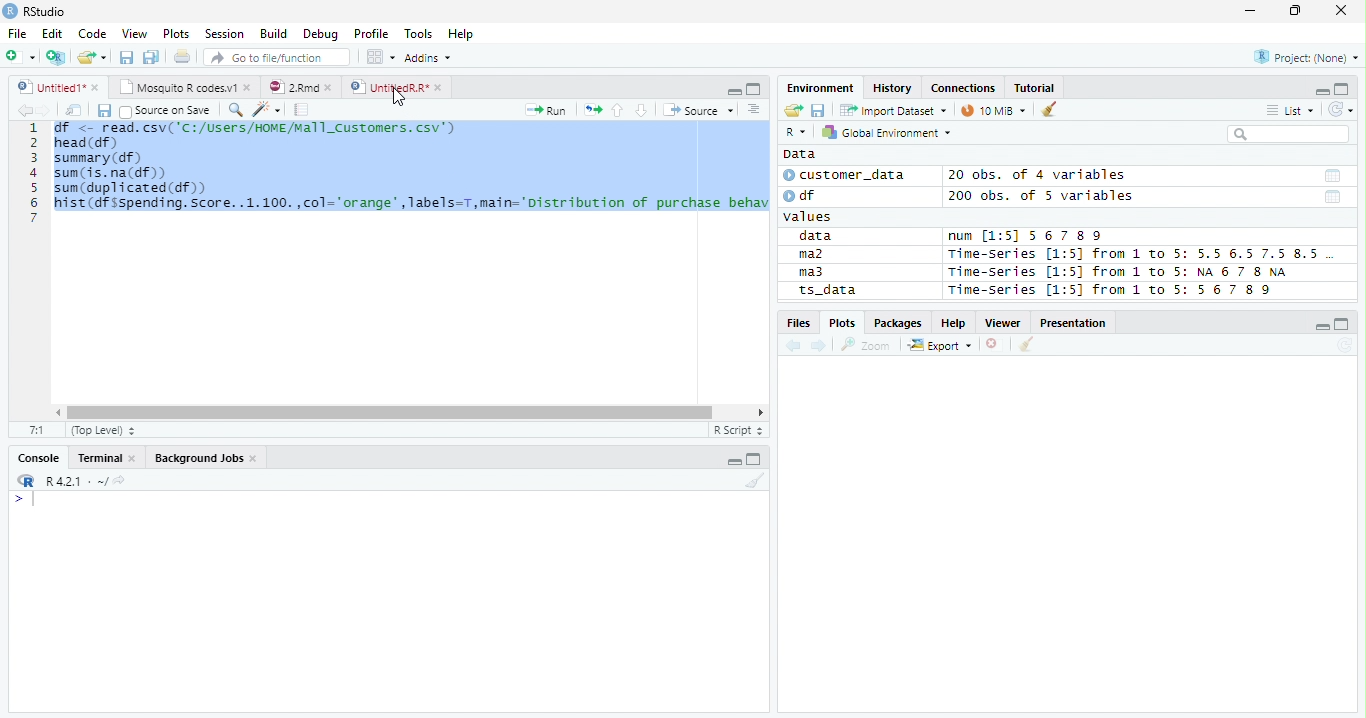 Image resolution: width=1366 pixels, height=718 pixels. What do you see at coordinates (276, 35) in the screenshot?
I see `Build` at bounding box center [276, 35].